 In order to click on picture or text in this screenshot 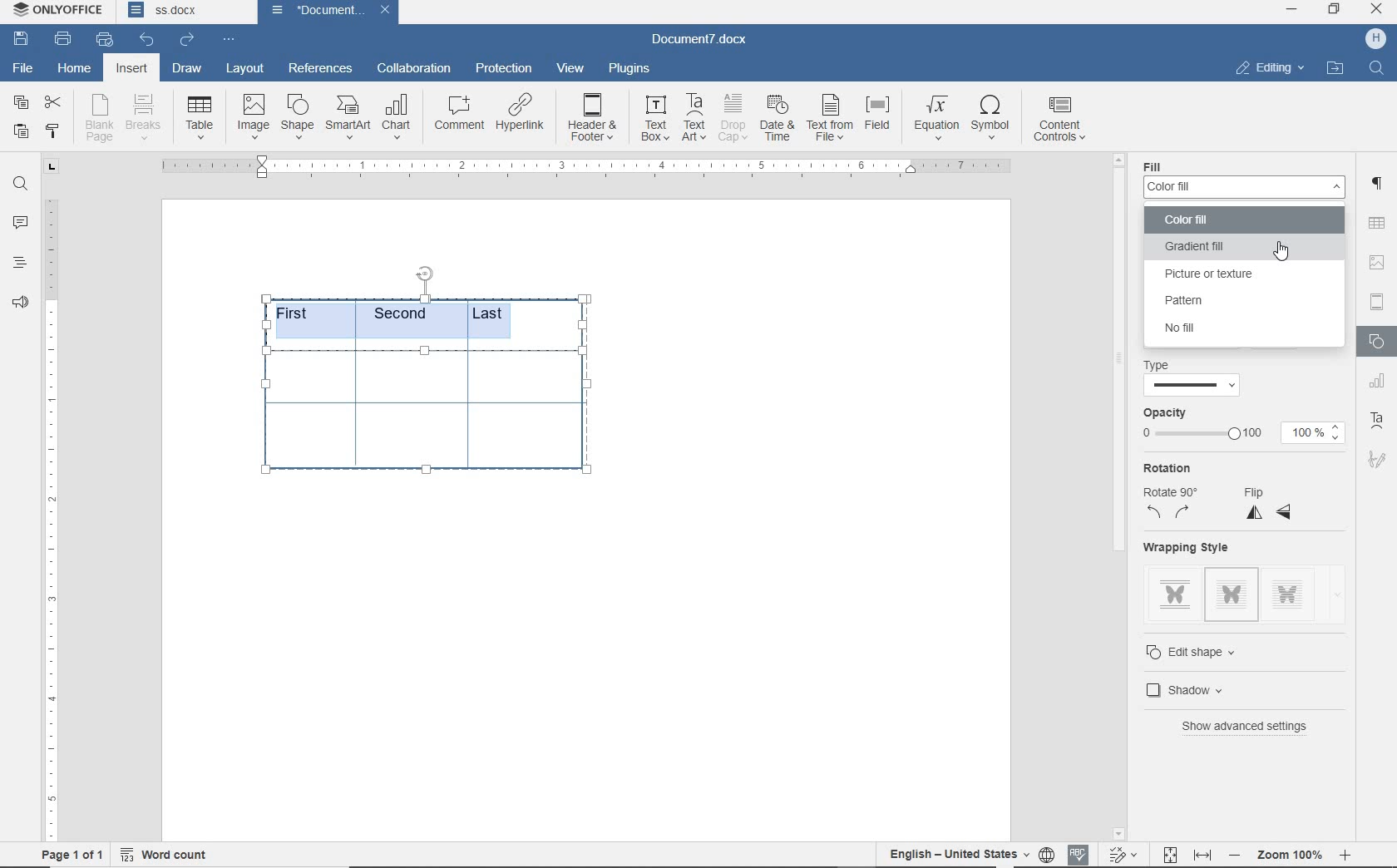, I will do `click(1241, 274)`.